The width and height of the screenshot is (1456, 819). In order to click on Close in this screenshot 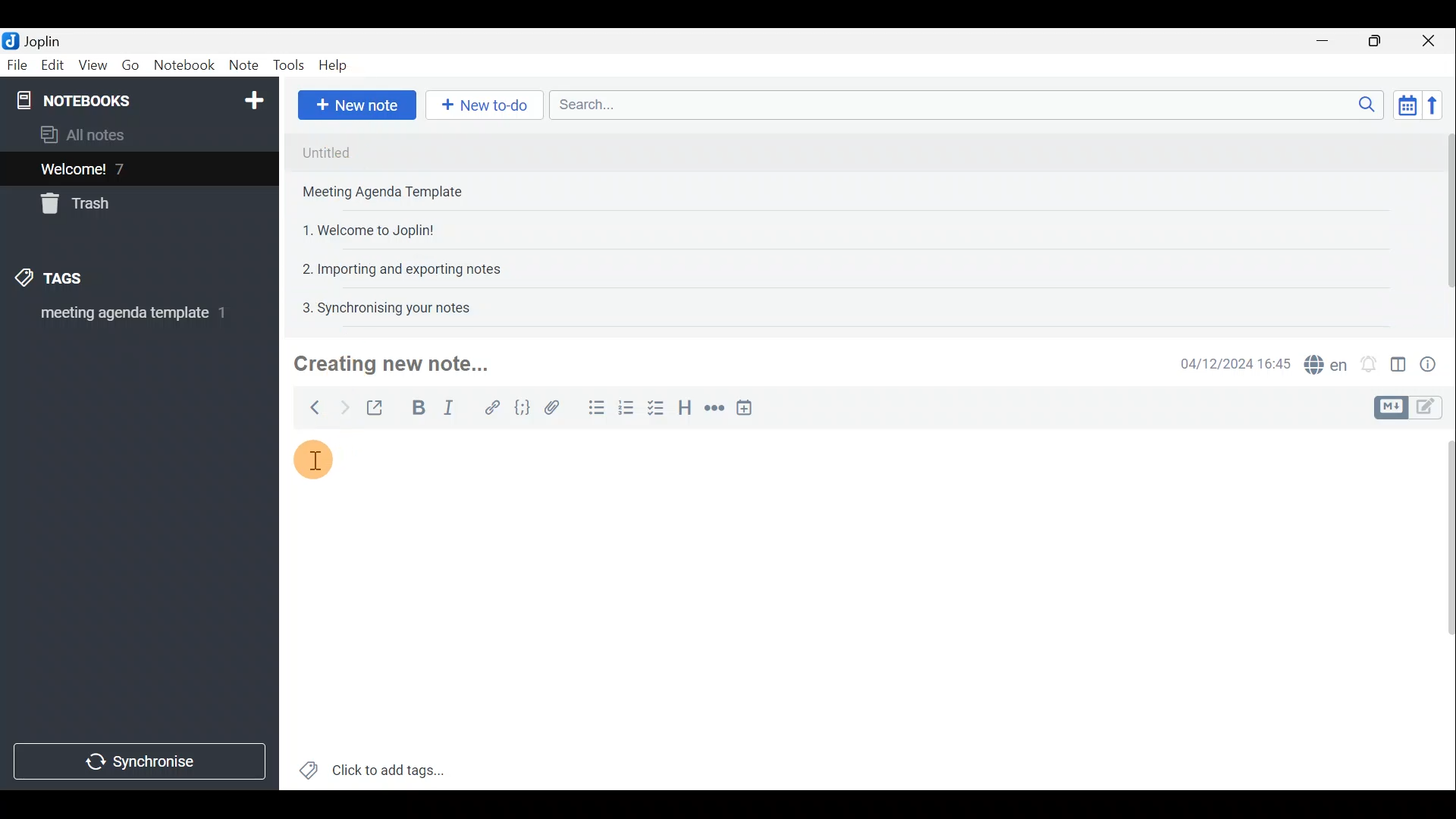, I will do `click(1433, 40)`.